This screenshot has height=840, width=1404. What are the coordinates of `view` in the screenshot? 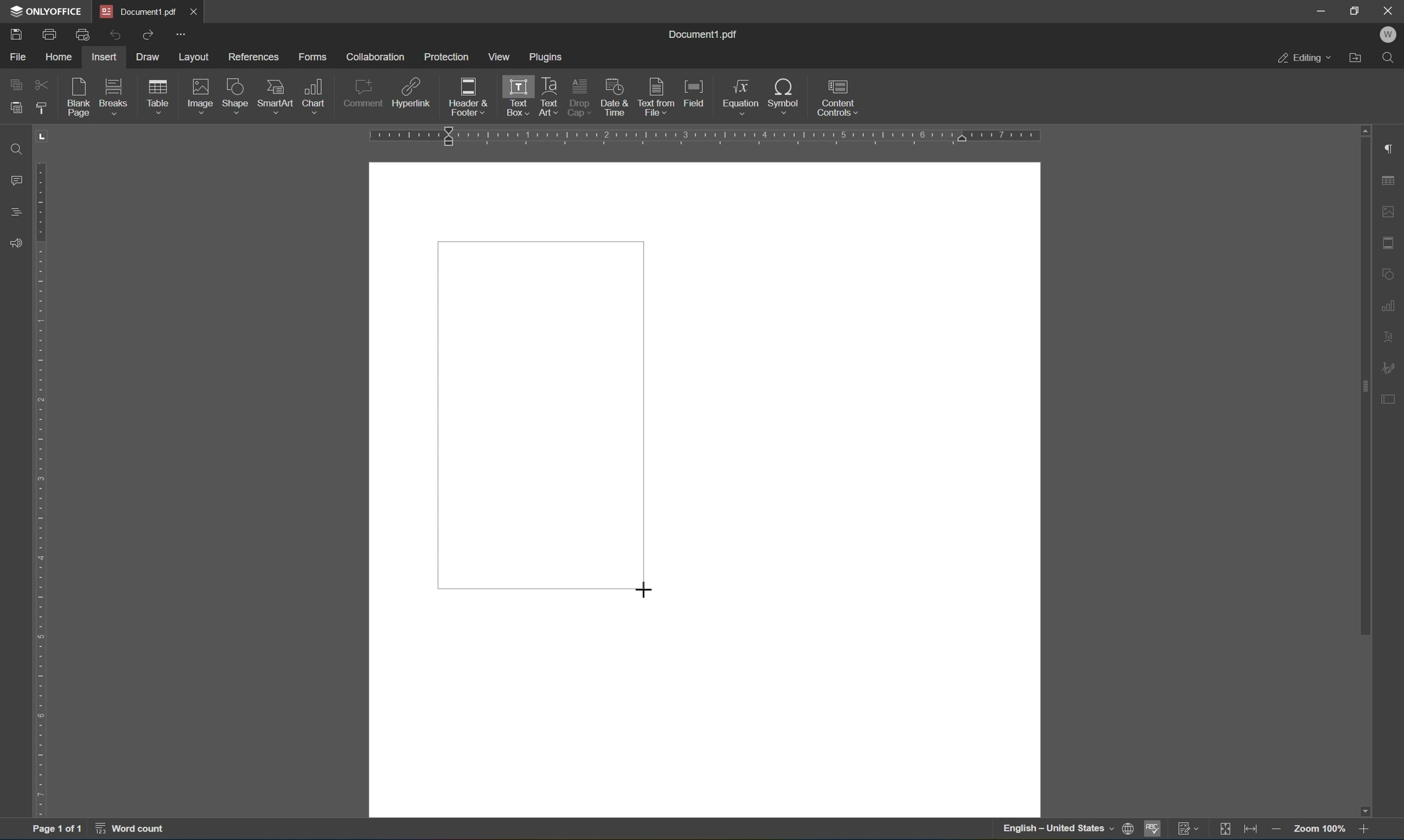 It's located at (498, 56).